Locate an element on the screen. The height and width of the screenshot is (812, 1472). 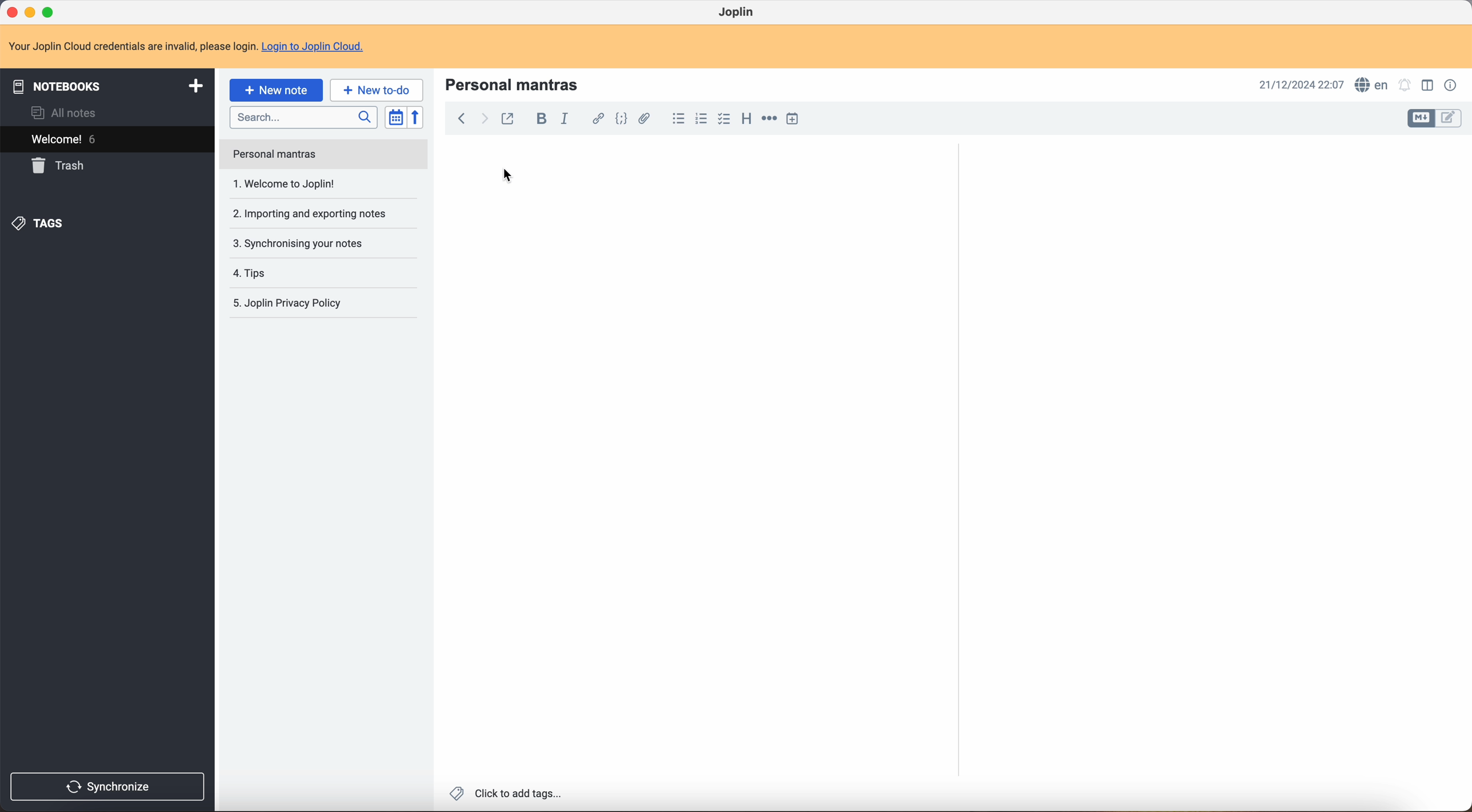
importing and exporting notes is located at coordinates (309, 183).